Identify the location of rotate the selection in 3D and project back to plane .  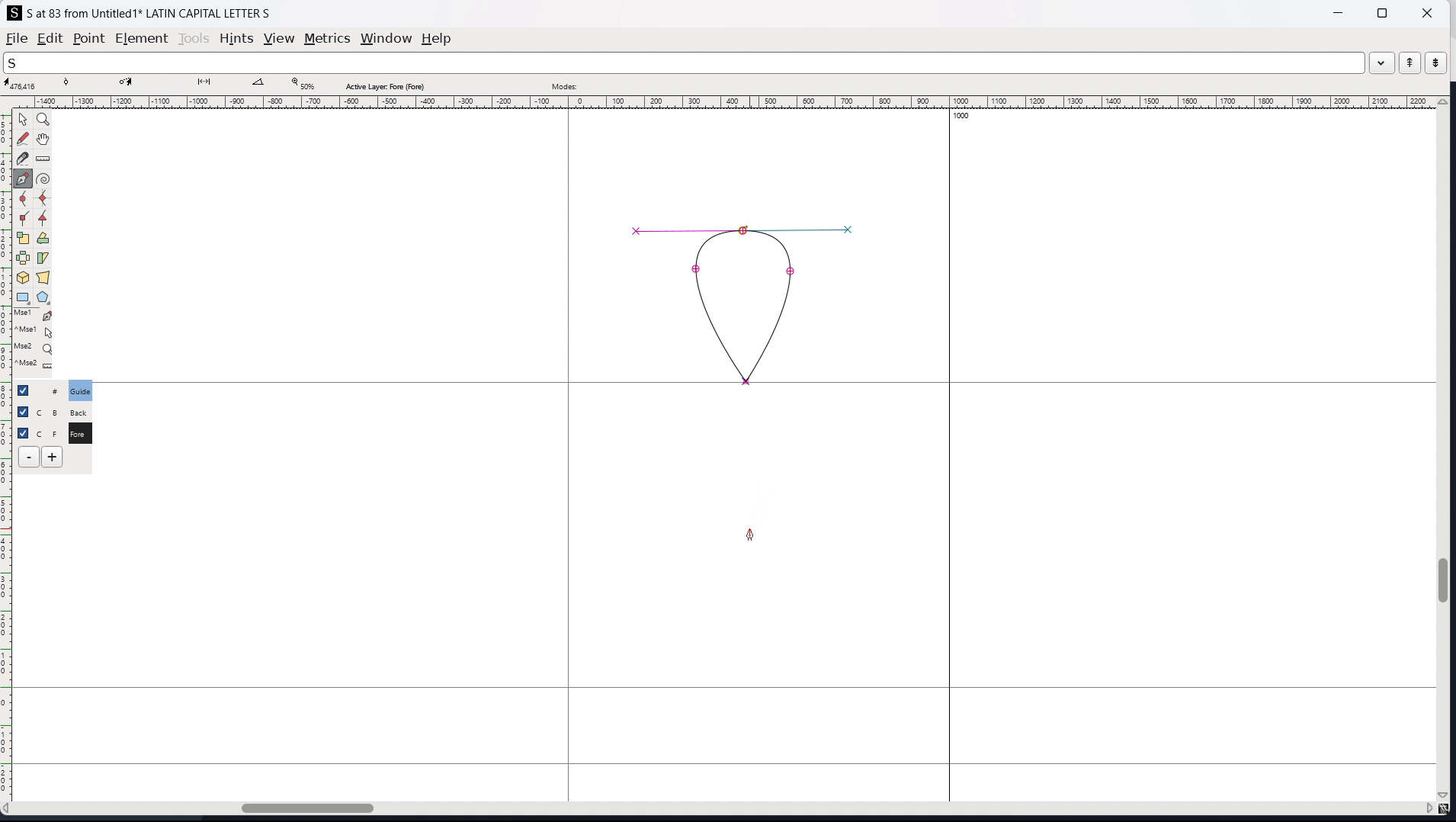
(23, 278).